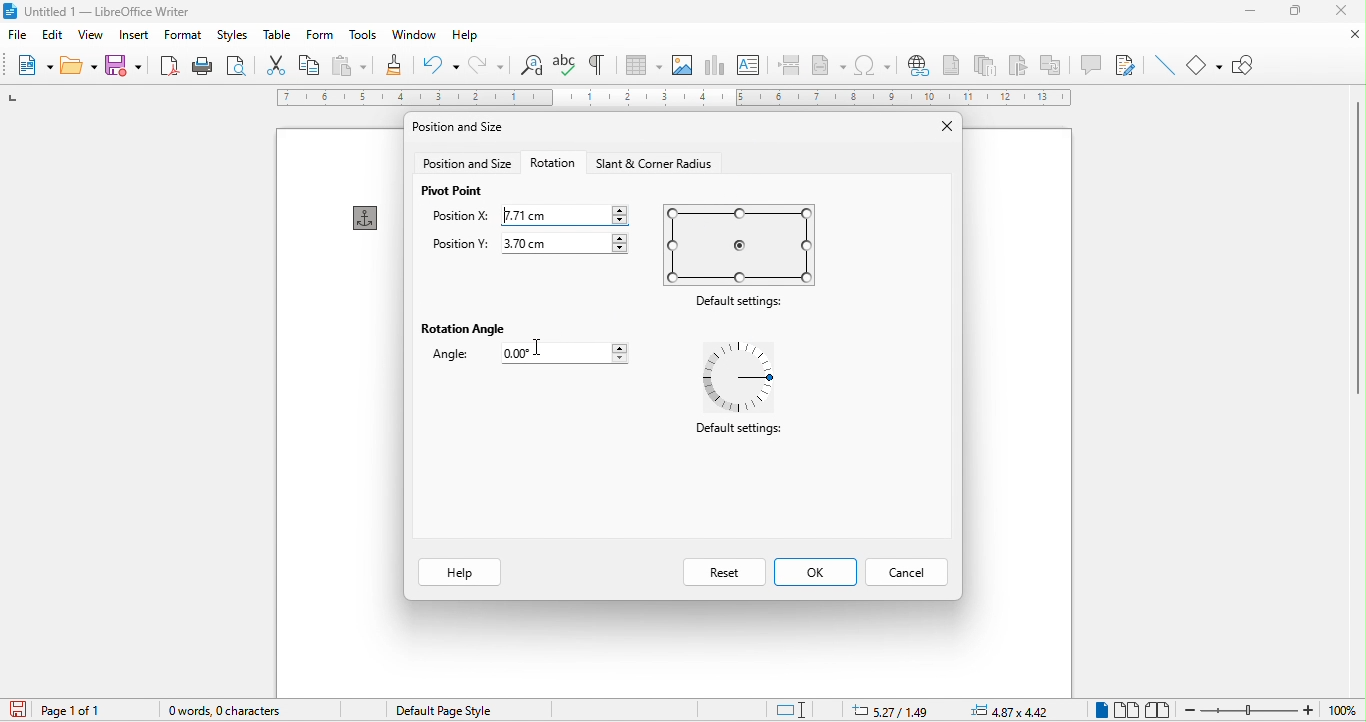 The width and height of the screenshot is (1366, 722). What do you see at coordinates (438, 712) in the screenshot?
I see `default page style` at bounding box center [438, 712].